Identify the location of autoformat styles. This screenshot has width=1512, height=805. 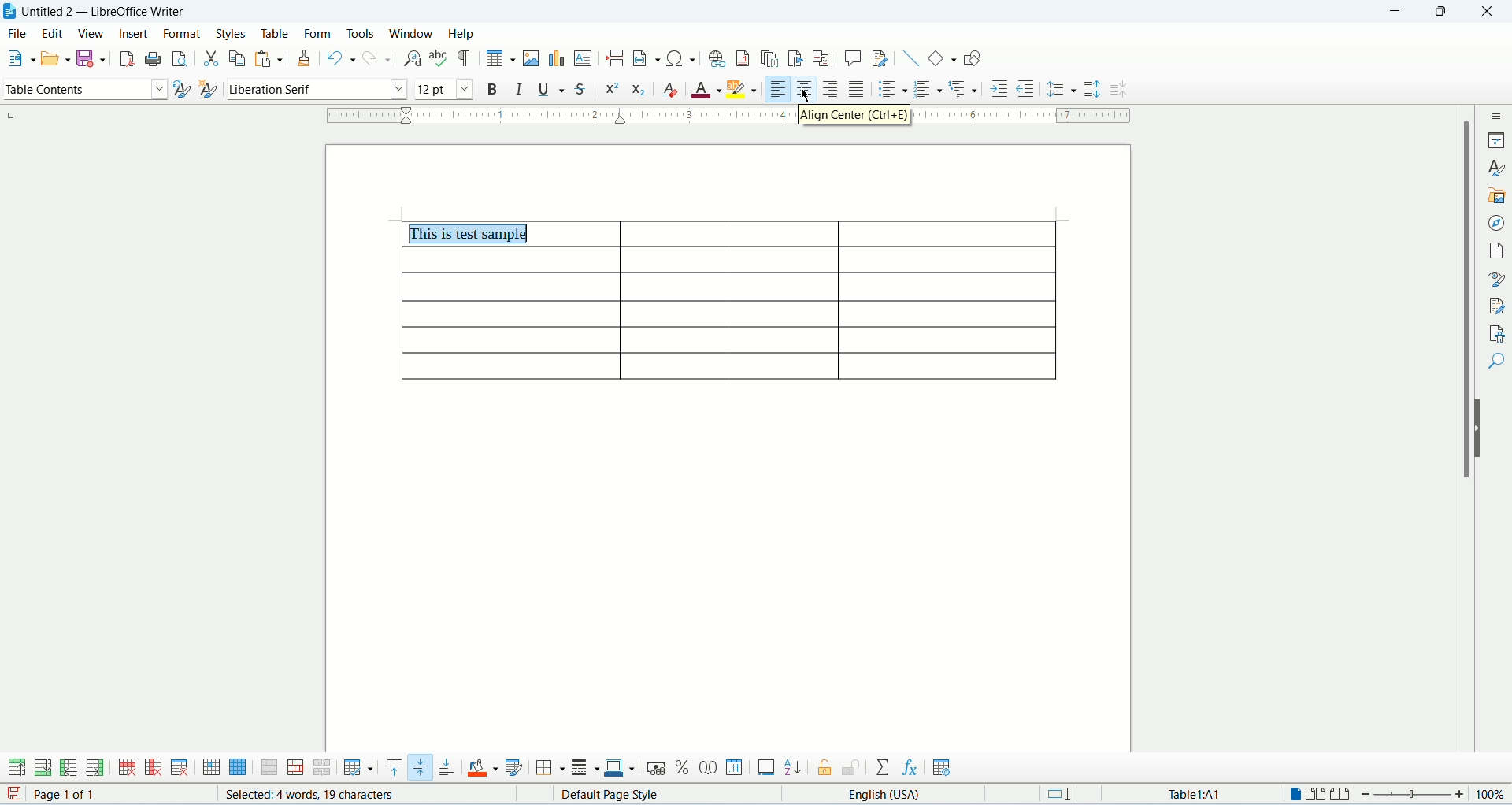
(516, 768).